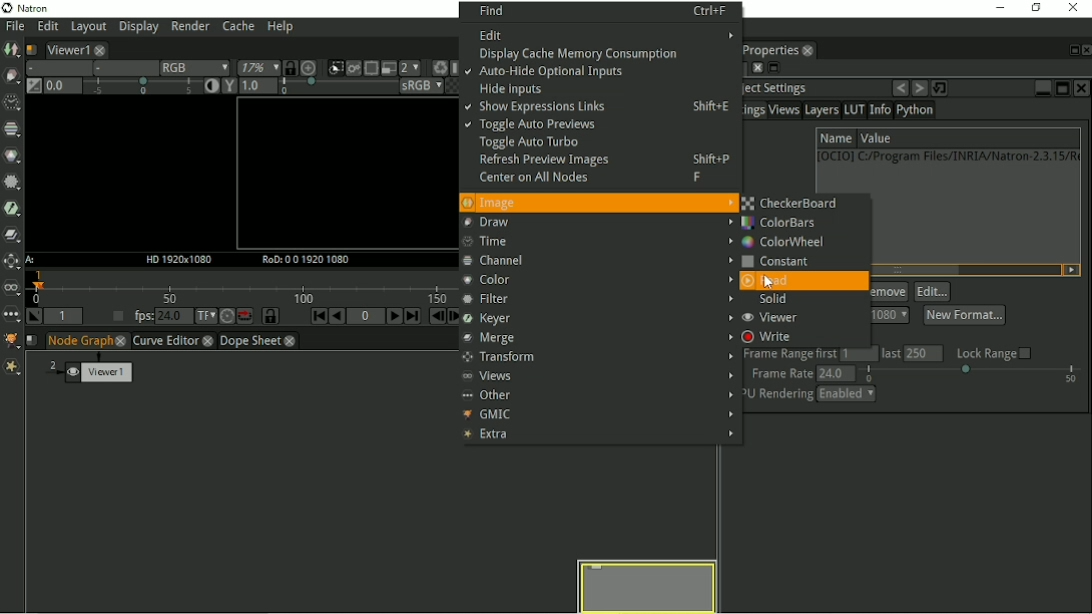 The height and width of the screenshot is (614, 1092). I want to click on Other, so click(598, 394).